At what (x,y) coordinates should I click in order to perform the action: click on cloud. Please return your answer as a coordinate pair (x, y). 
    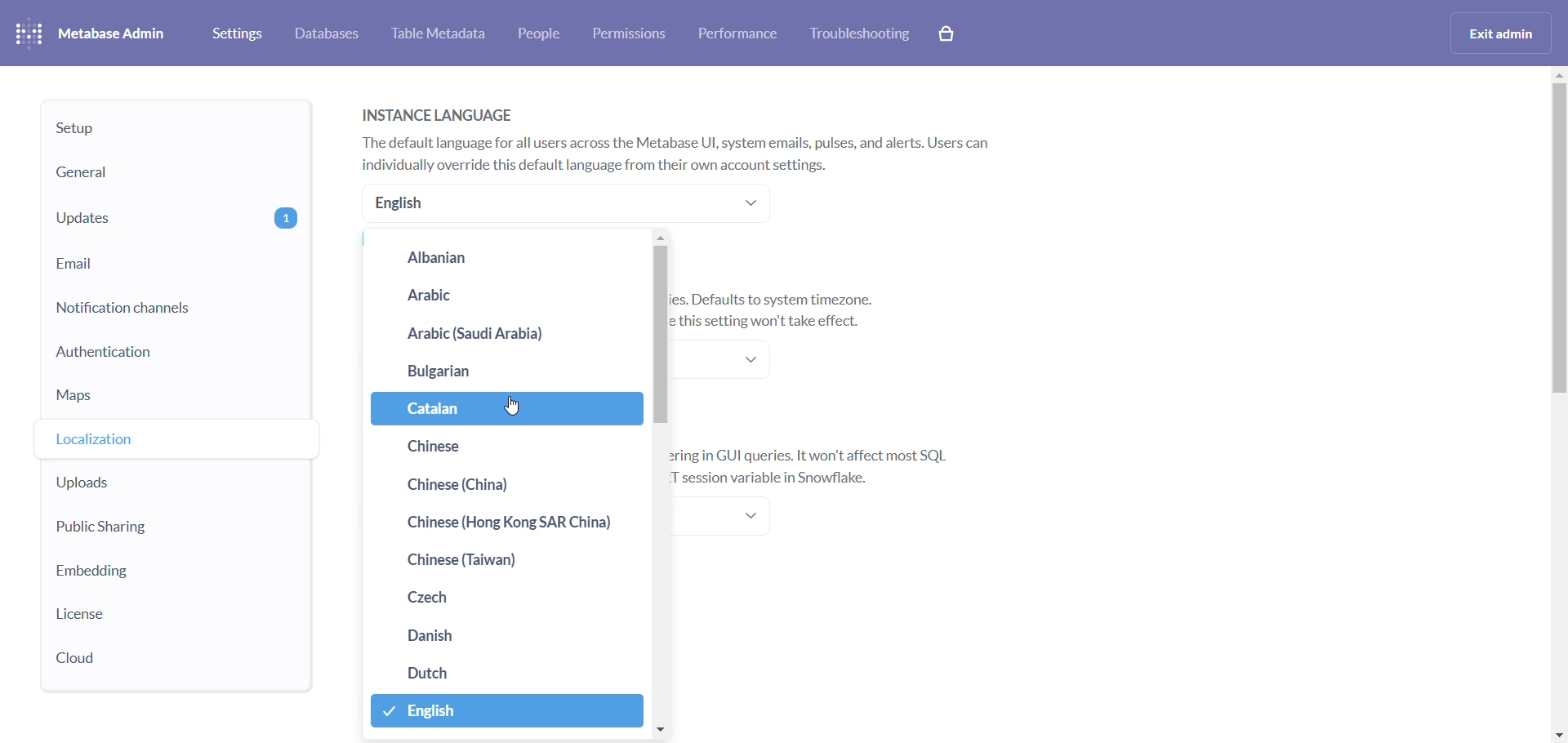
    Looking at the image, I should click on (155, 654).